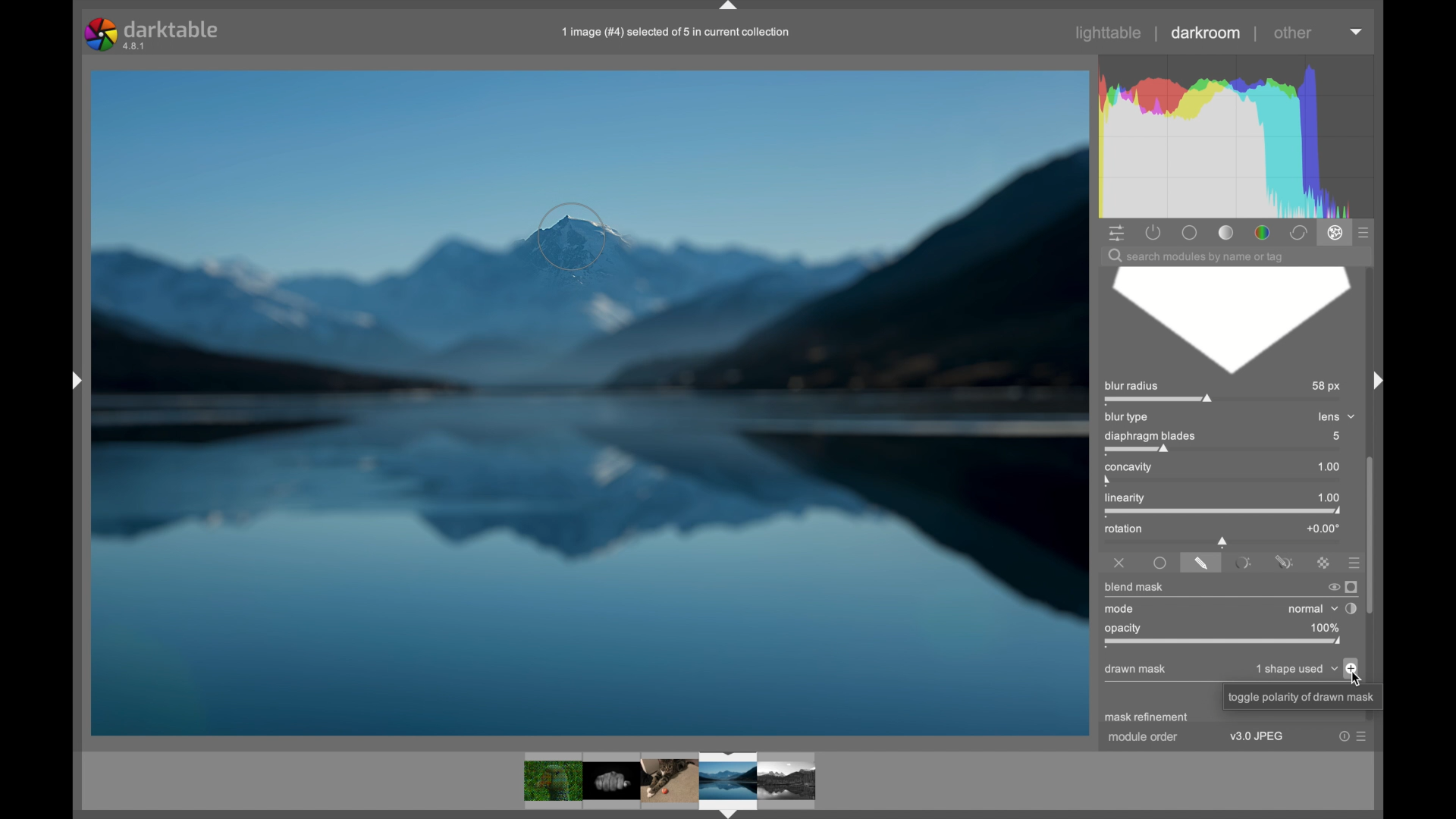 This screenshot has height=819, width=1456. What do you see at coordinates (1134, 500) in the screenshot?
I see `linearity` at bounding box center [1134, 500].